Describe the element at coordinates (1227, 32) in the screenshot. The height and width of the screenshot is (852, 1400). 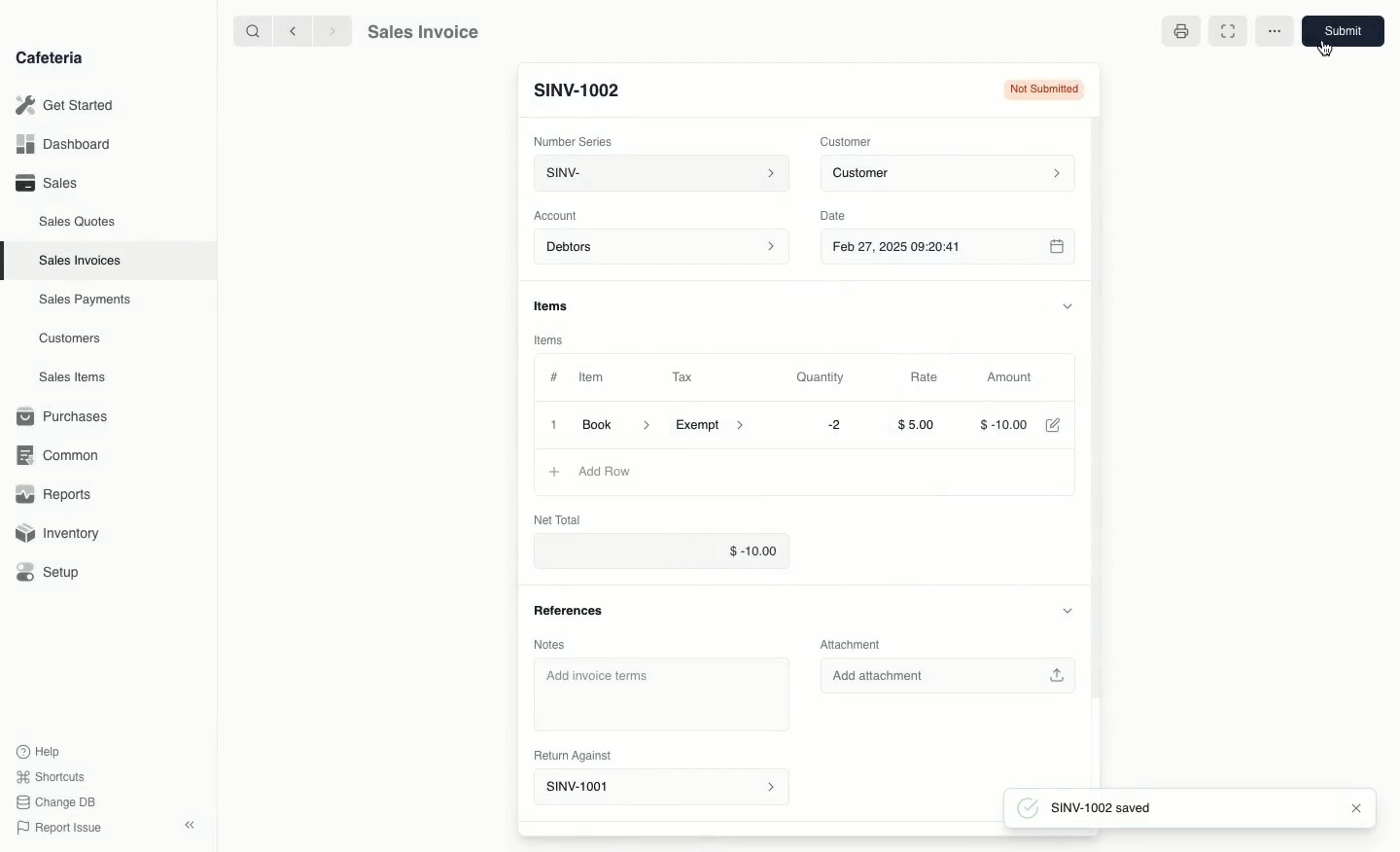
I see `Full width` at that location.